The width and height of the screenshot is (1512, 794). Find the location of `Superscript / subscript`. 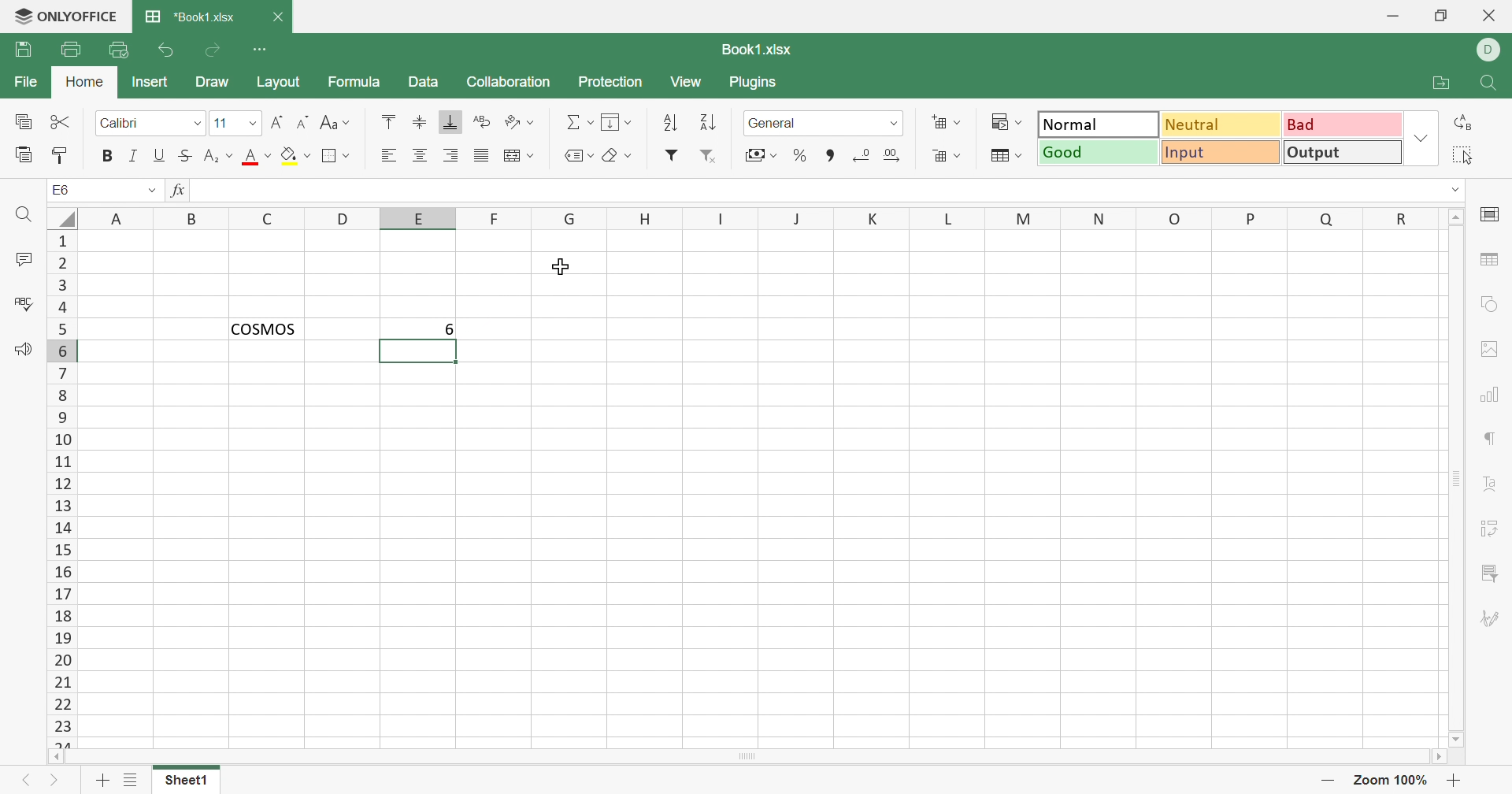

Superscript / subscript is located at coordinates (220, 157).